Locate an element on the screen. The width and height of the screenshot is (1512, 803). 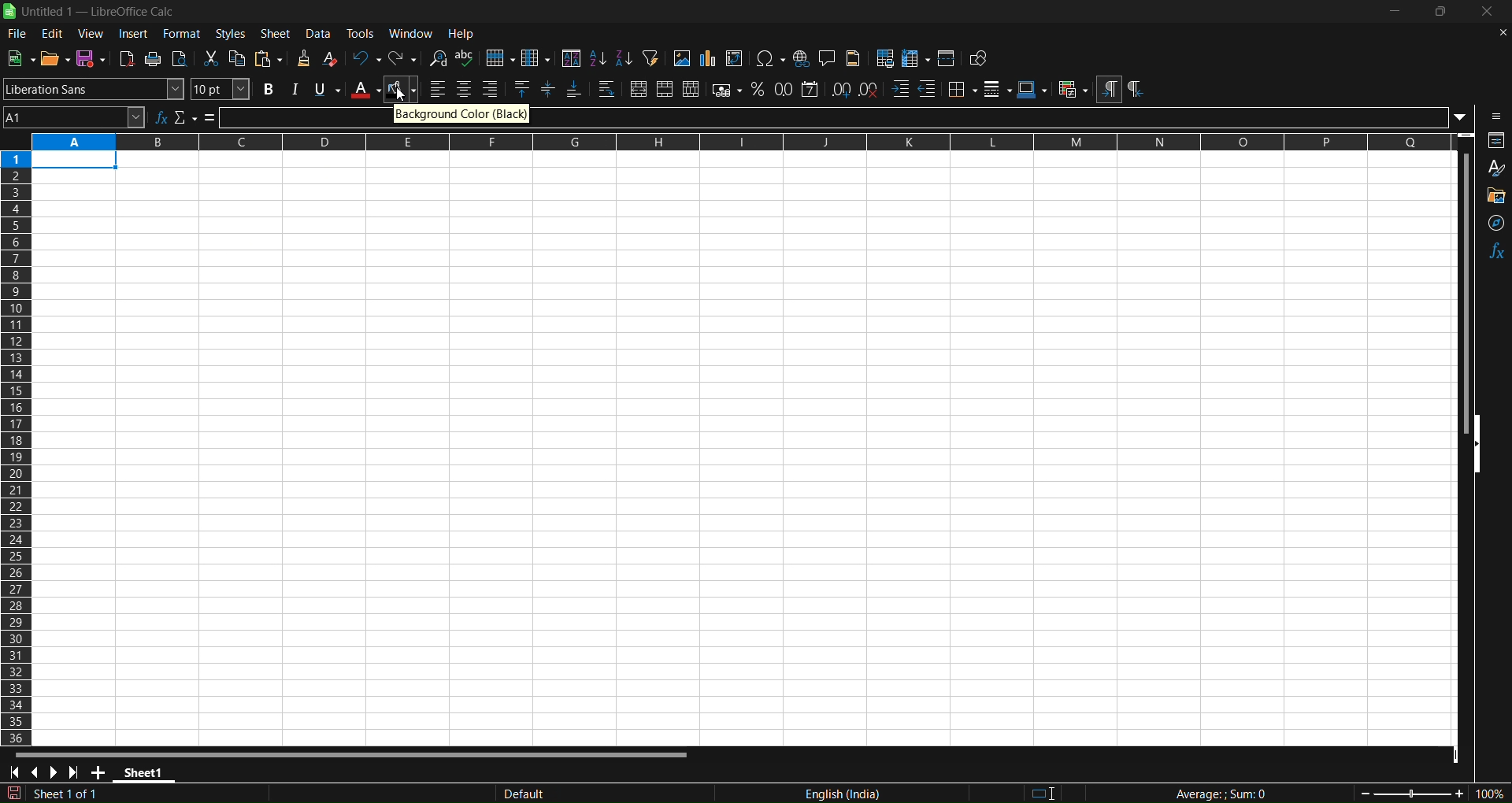
border color is located at coordinates (1033, 89).